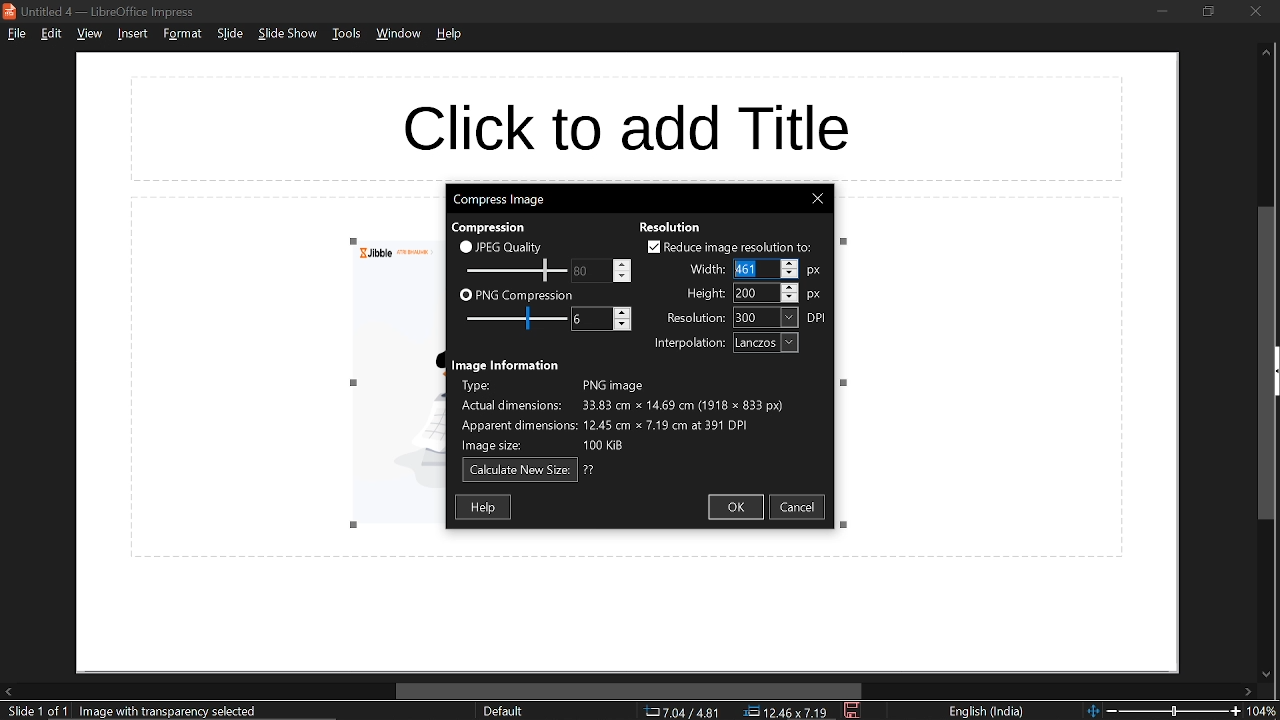 The width and height of the screenshot is (1280, 720). Describe the element at coordinates (749, 294) in the screenshot. I see `height` at that location.